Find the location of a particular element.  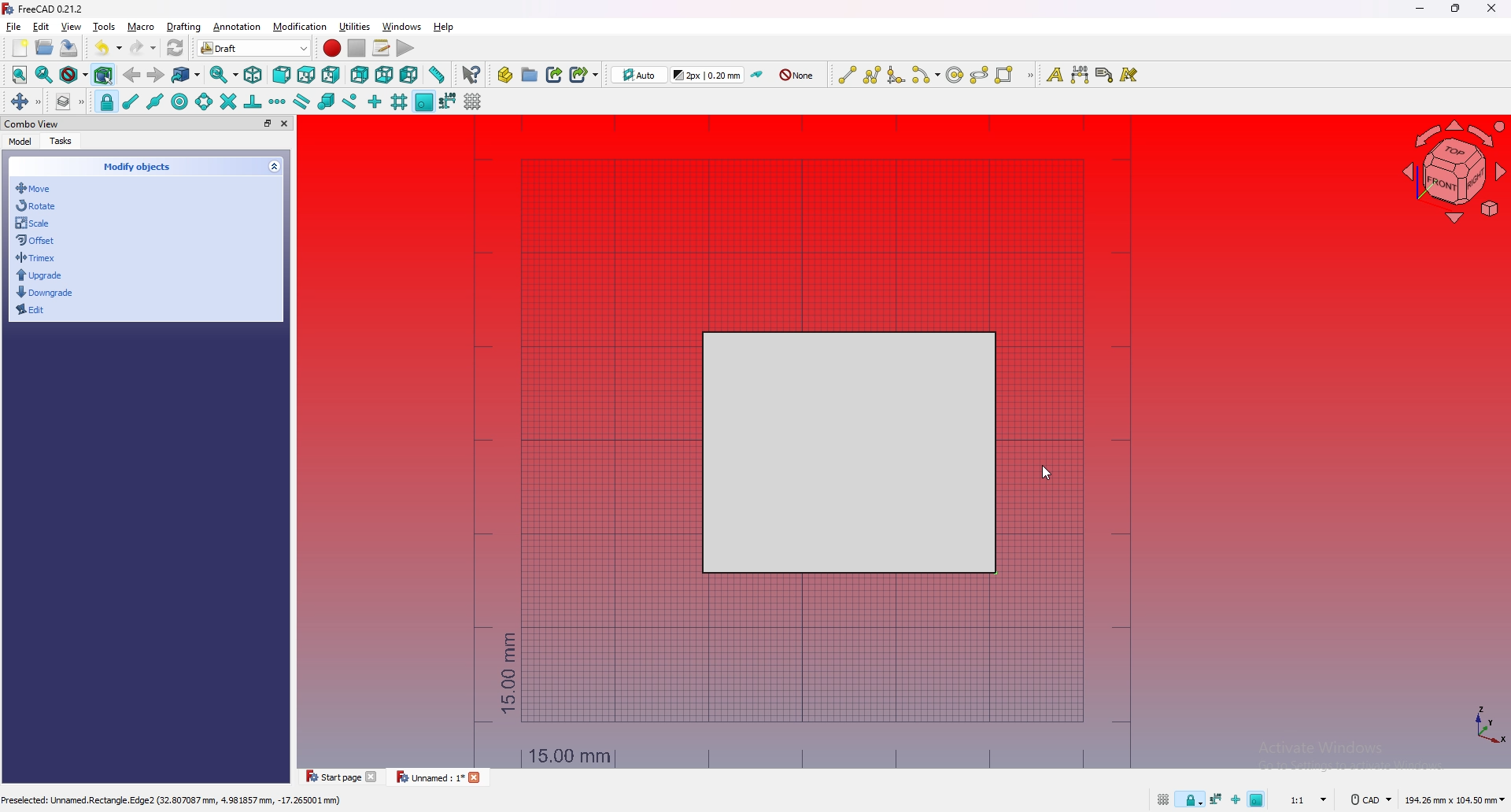

drafting is located at coordinates (185, 27).